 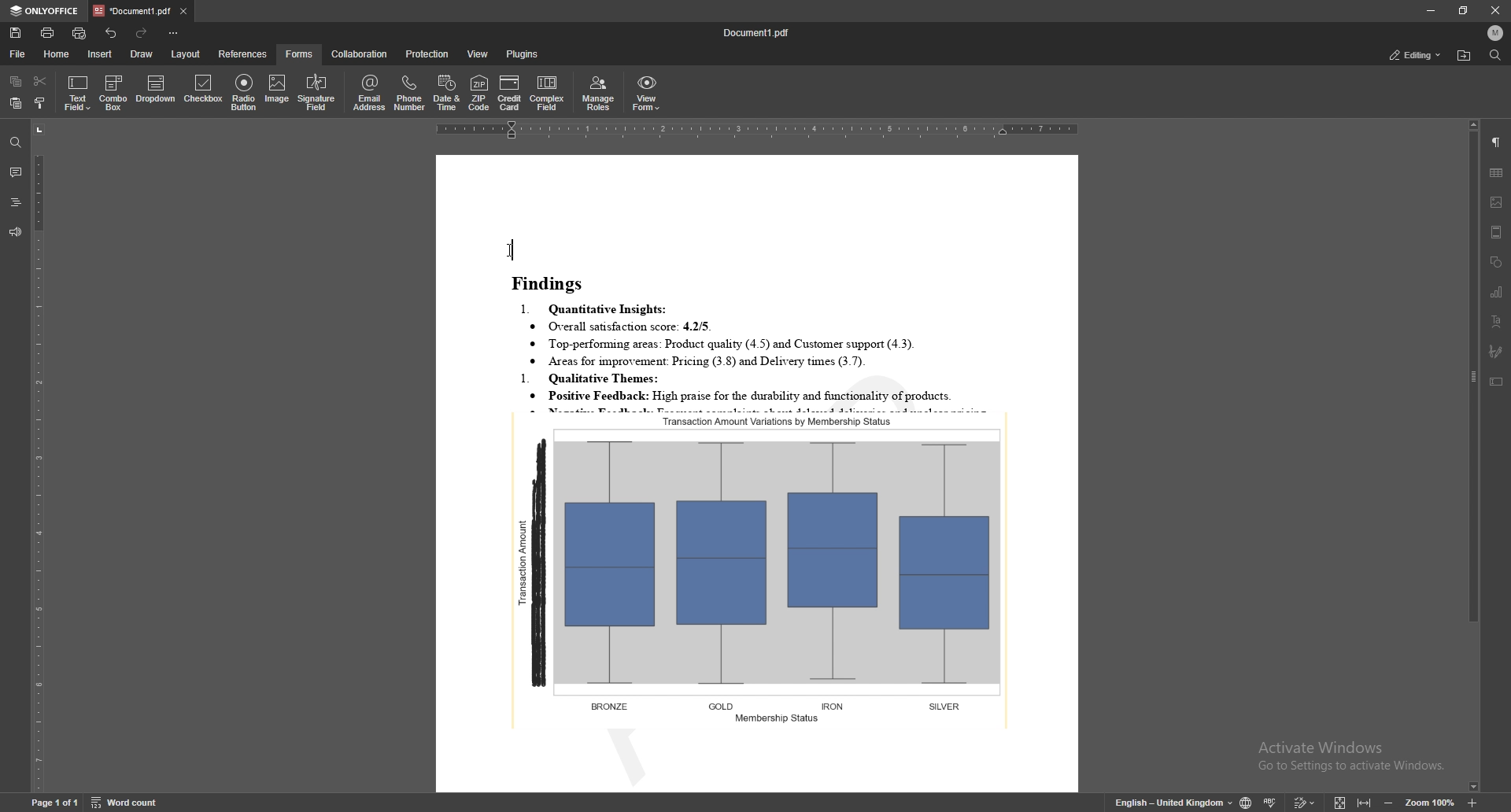 What do you see at coordinates (522, 54) in the screenshot?
I see `plugins` at bounding box center [522, 54].